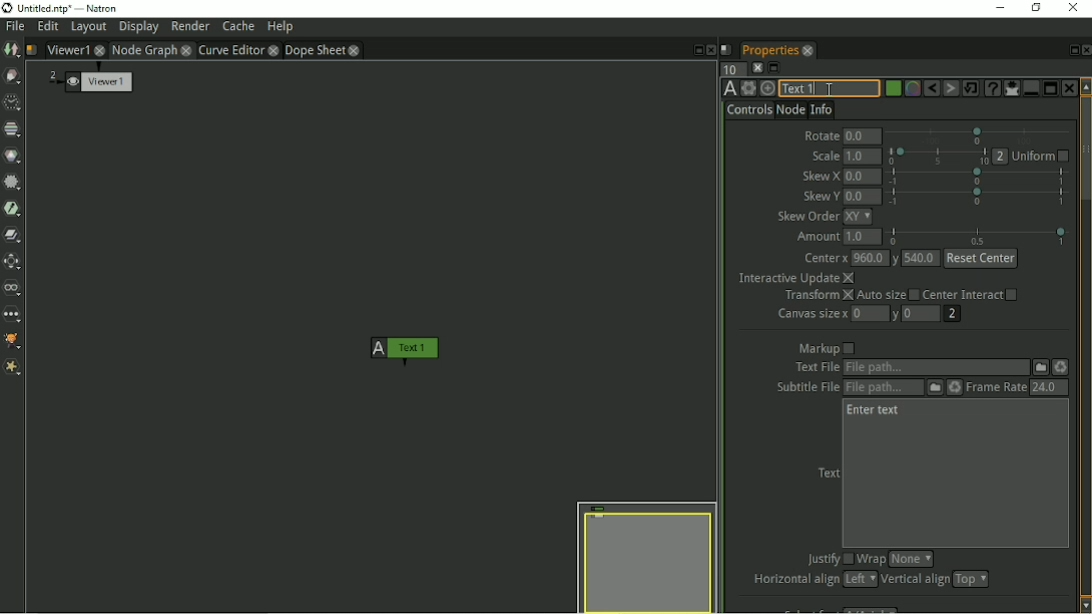 This screenshot has width=1092, height=614. What do you see at coordinates (892, 88) in the screenshot?
I see `Choose color` at bounding box center [892, 88].